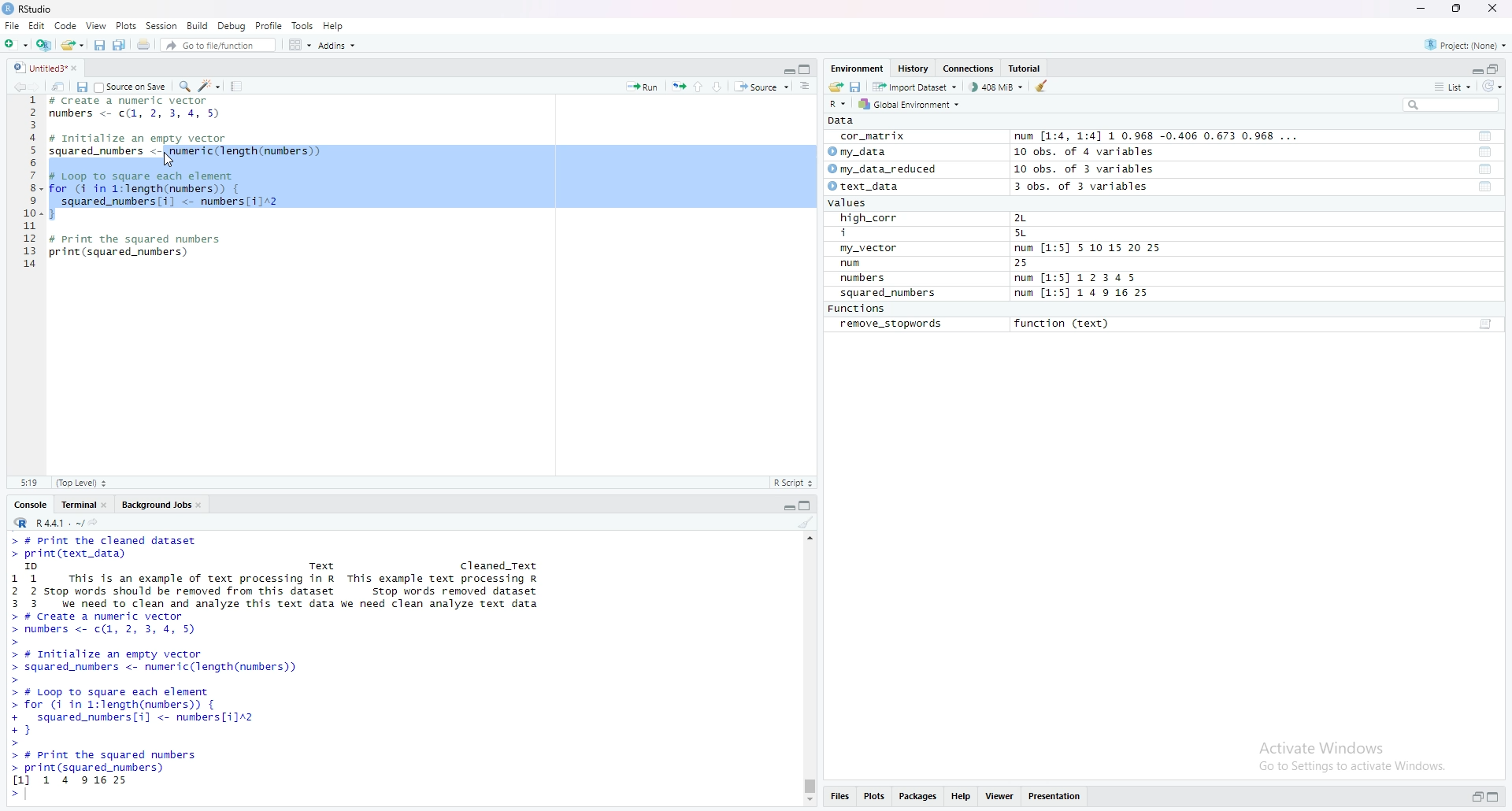 This screenshot has width=1512, height=811. I want to click on num [1:5] 1 2 345, so click(1080, 279).